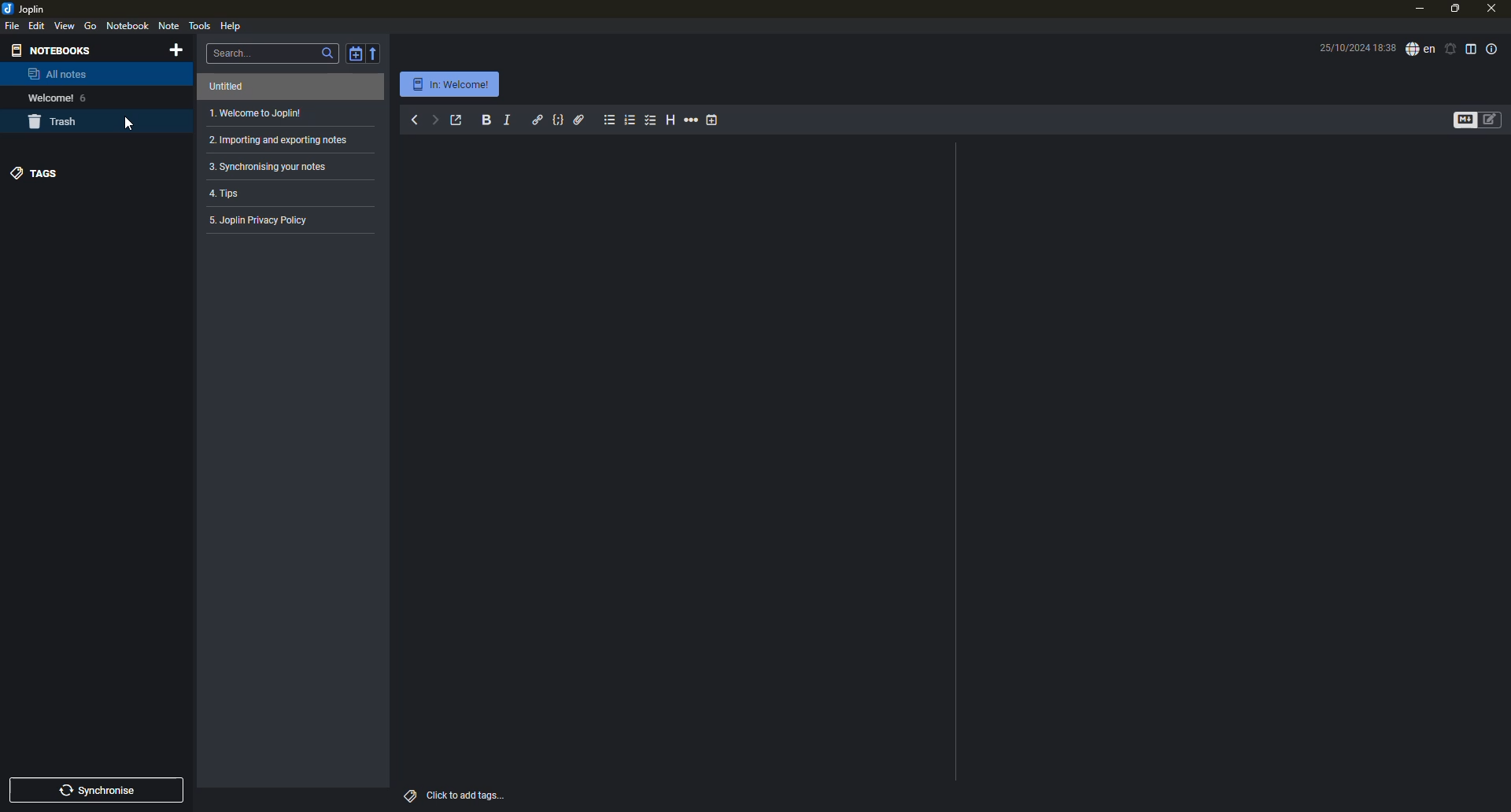  Describe the element at coordinates (257, 114) in the screenshot. I see `1. welcome to joplin` at that location.